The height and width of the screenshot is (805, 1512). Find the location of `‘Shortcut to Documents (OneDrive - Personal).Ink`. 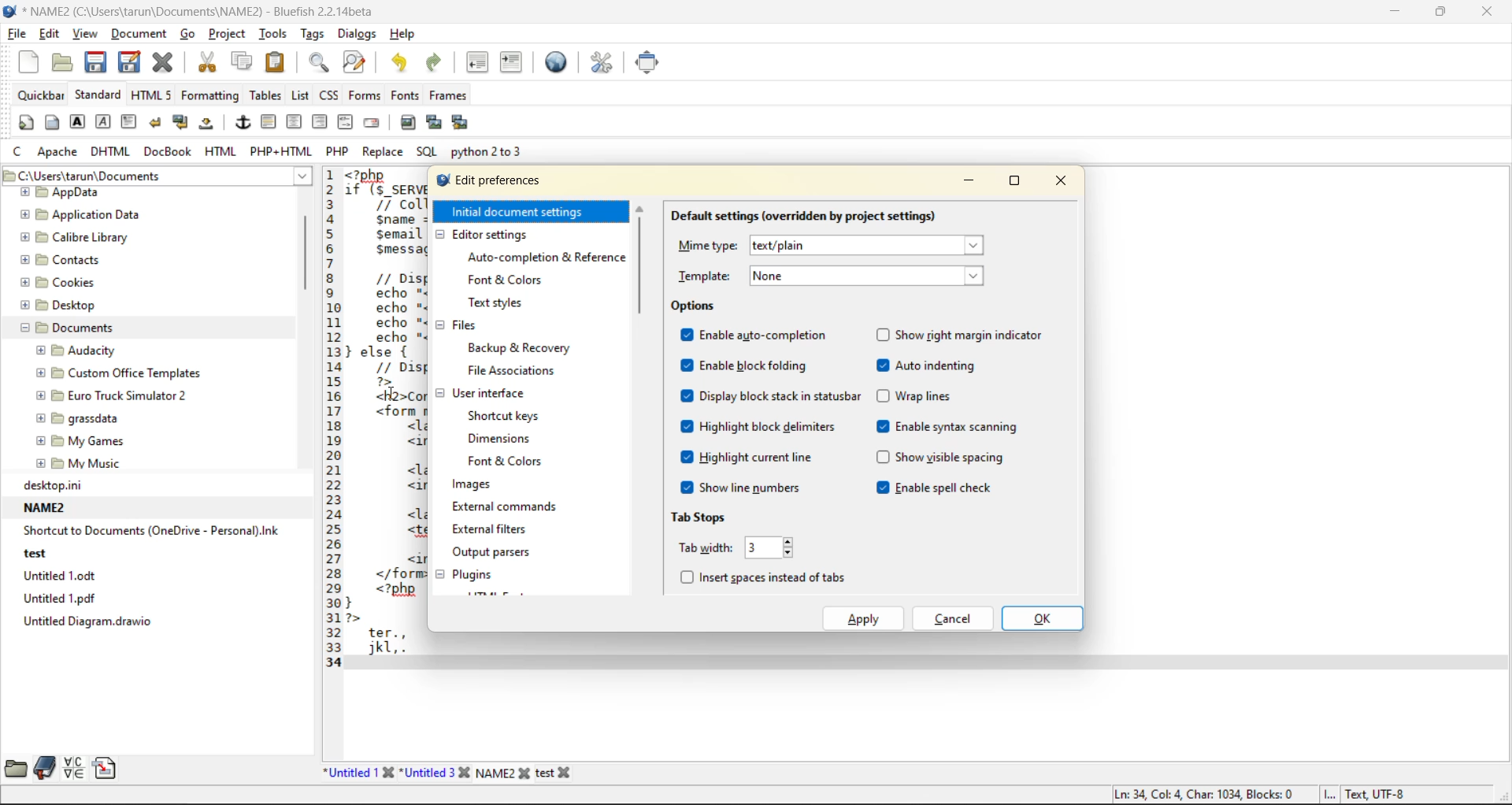

‘Shortcut to Documents (OneDrive - Personal).Ink is located at coordinates (145, 529).